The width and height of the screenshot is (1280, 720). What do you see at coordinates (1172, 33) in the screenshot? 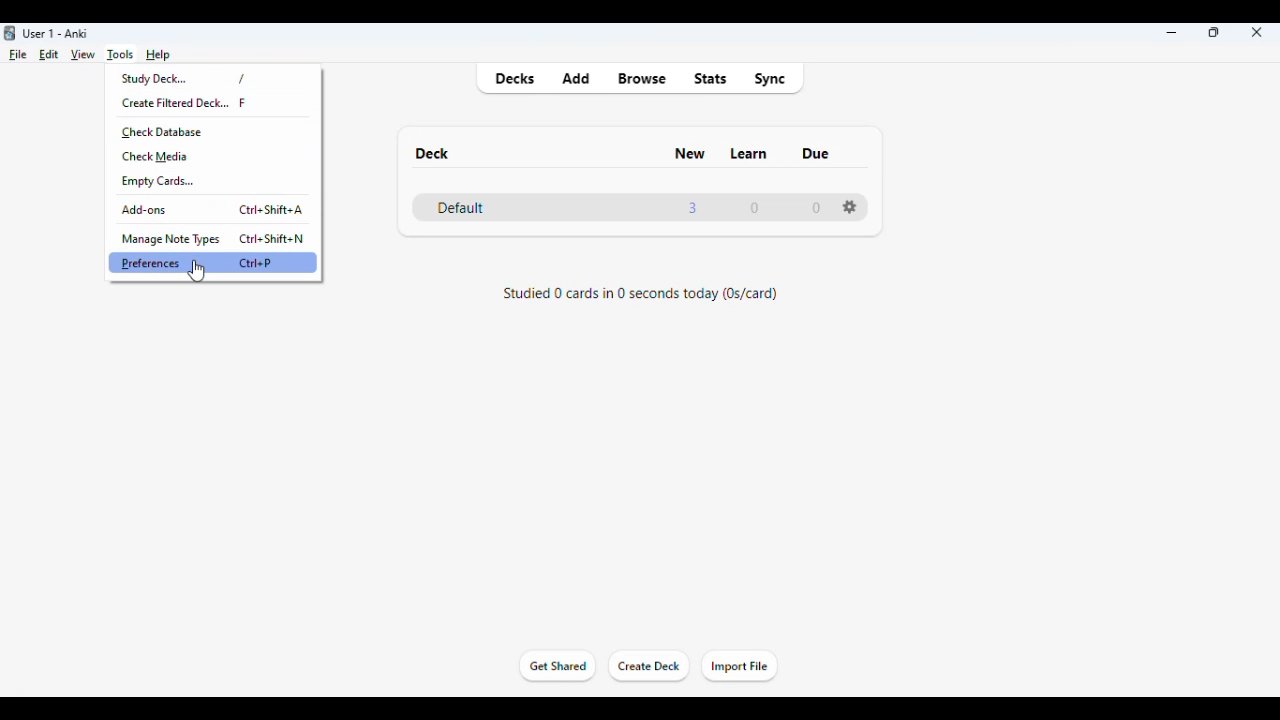
I see `minimize` at bounding box center [1172, 33].